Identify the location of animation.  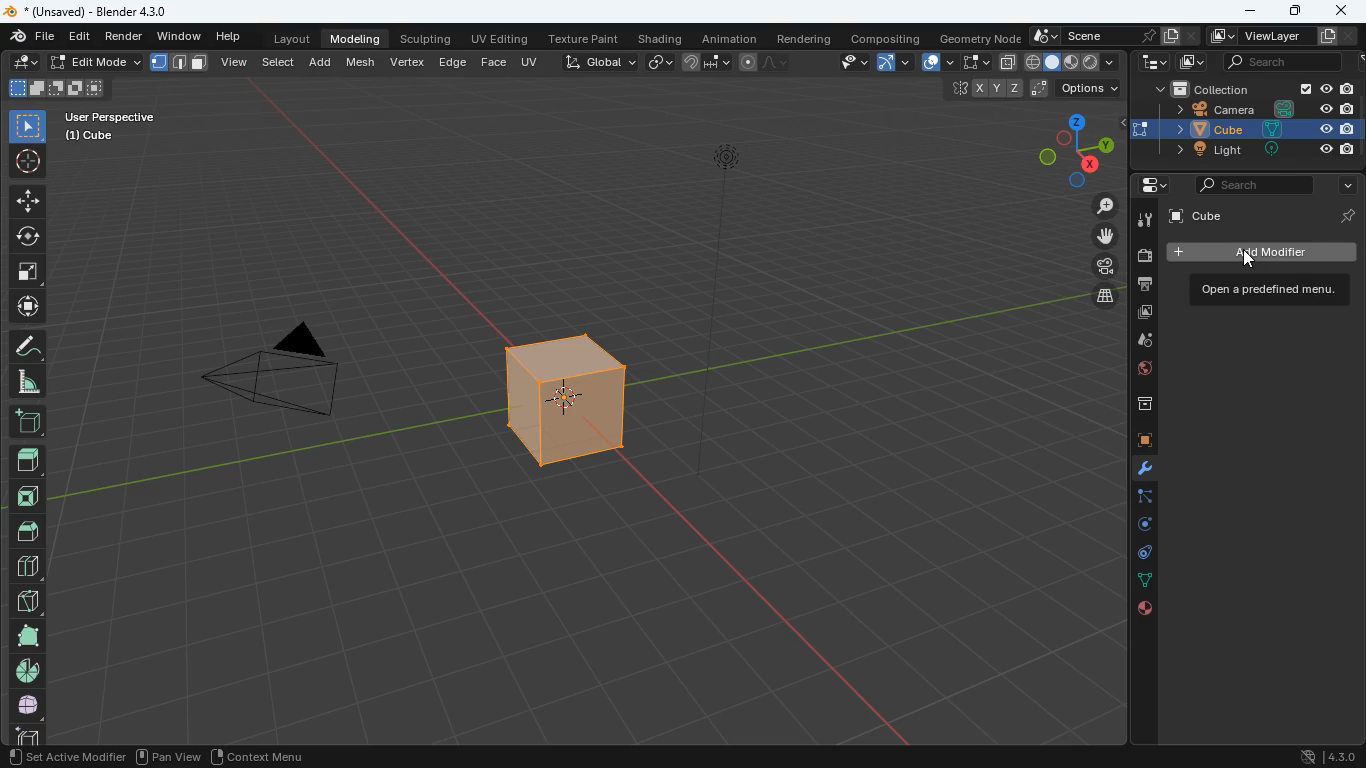
(730, 37).